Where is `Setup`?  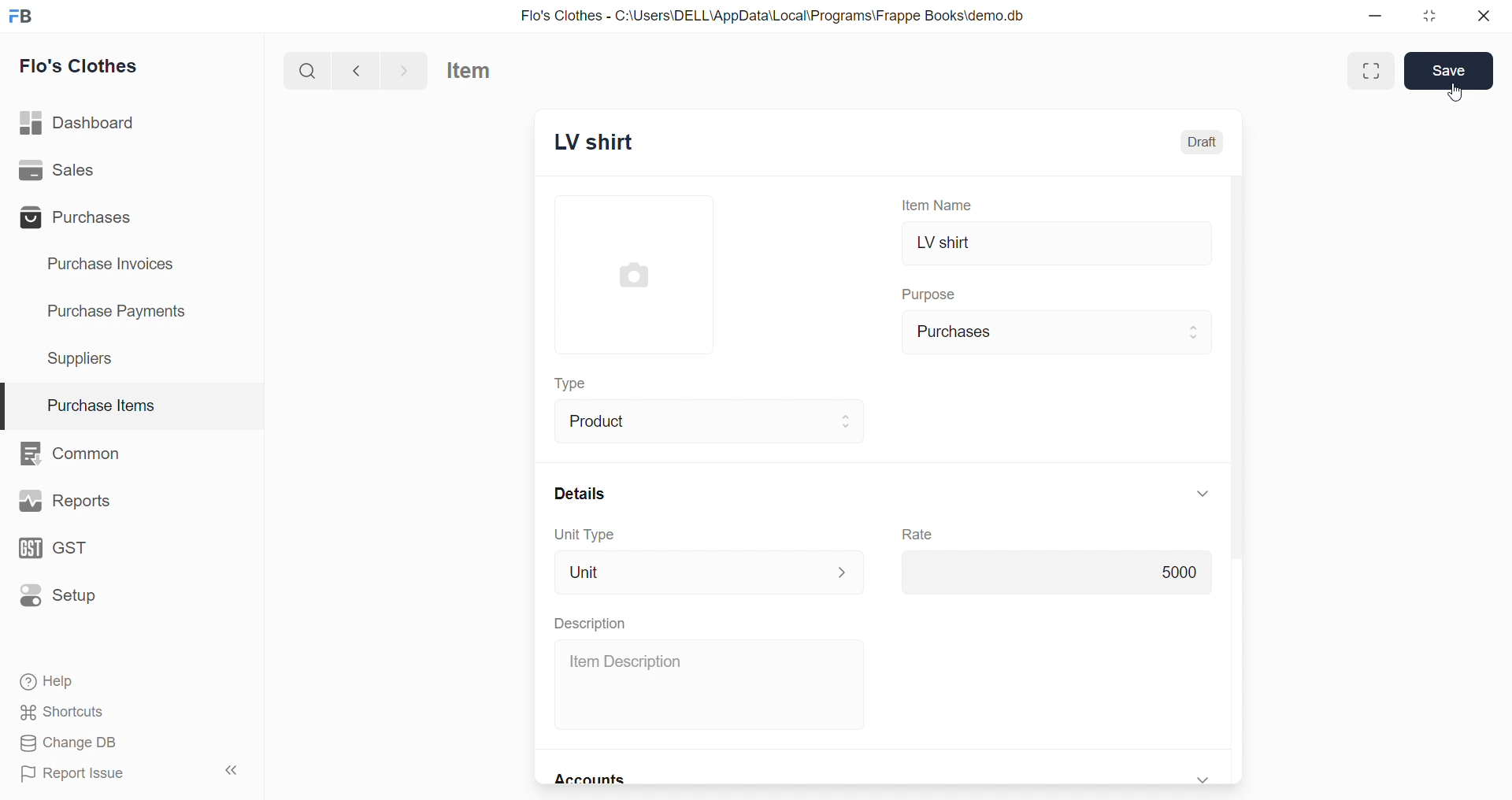
Setup is located at coordinates (69, 598).